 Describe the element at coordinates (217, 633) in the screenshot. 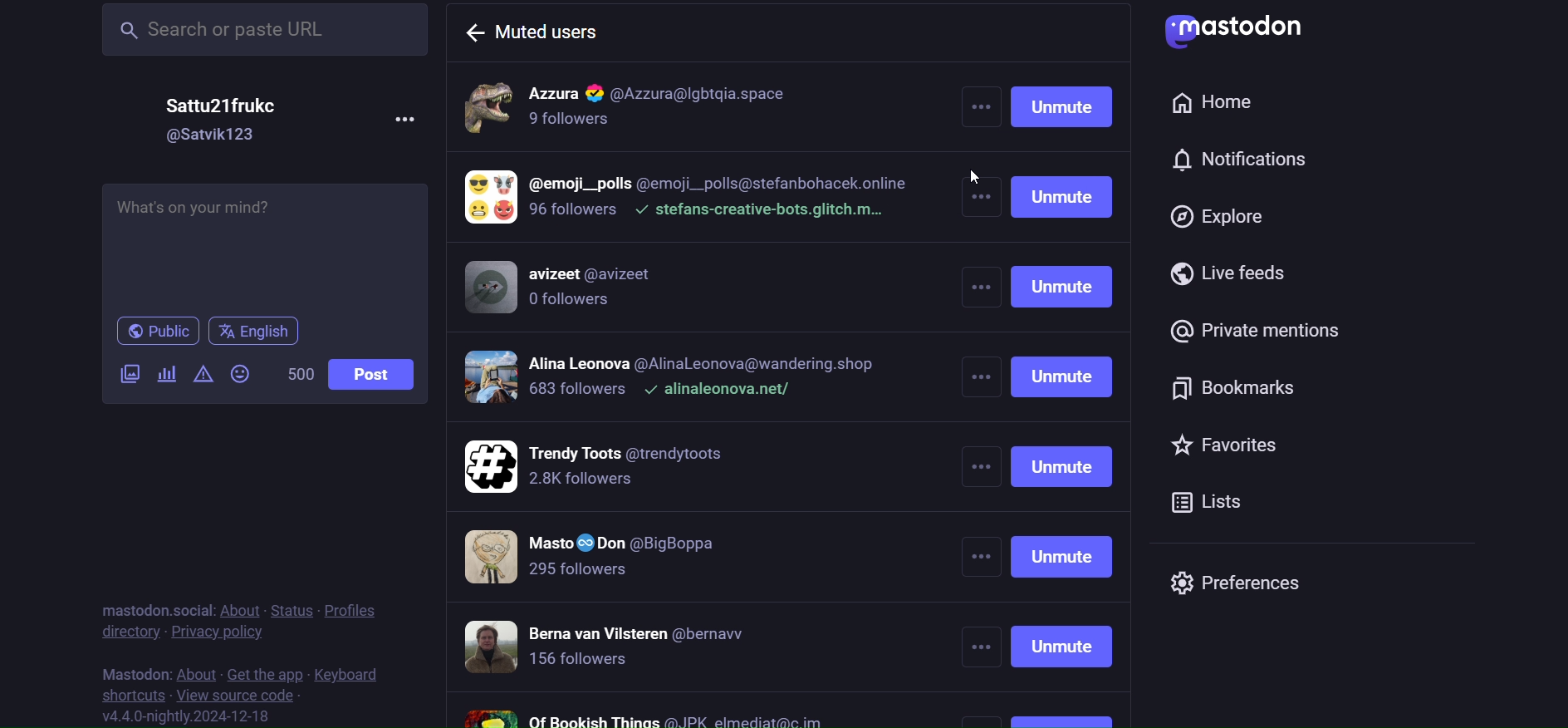

I see `privacy policy` at that location.